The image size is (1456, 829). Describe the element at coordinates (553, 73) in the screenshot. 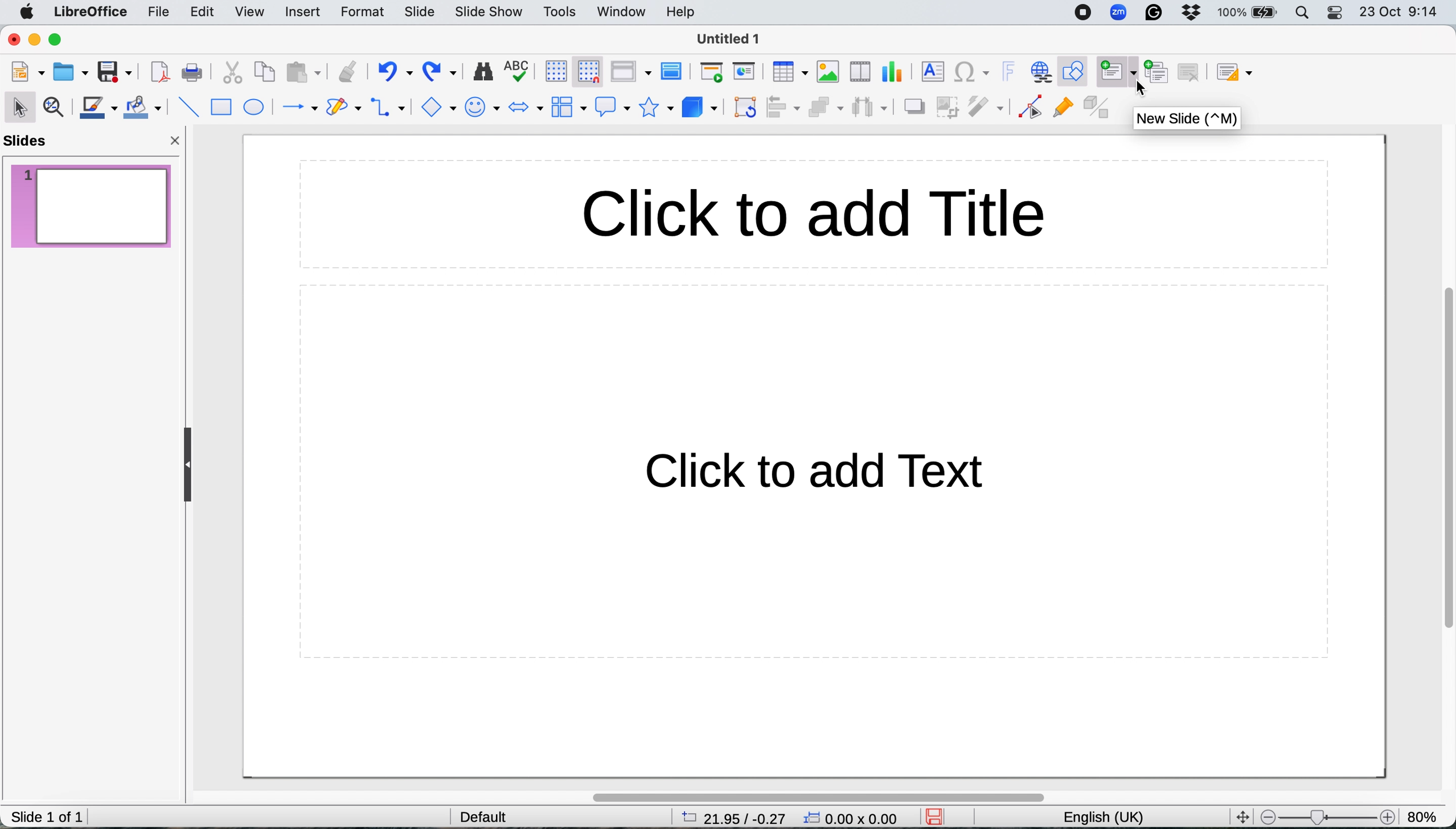

I see `display grid` at that location.